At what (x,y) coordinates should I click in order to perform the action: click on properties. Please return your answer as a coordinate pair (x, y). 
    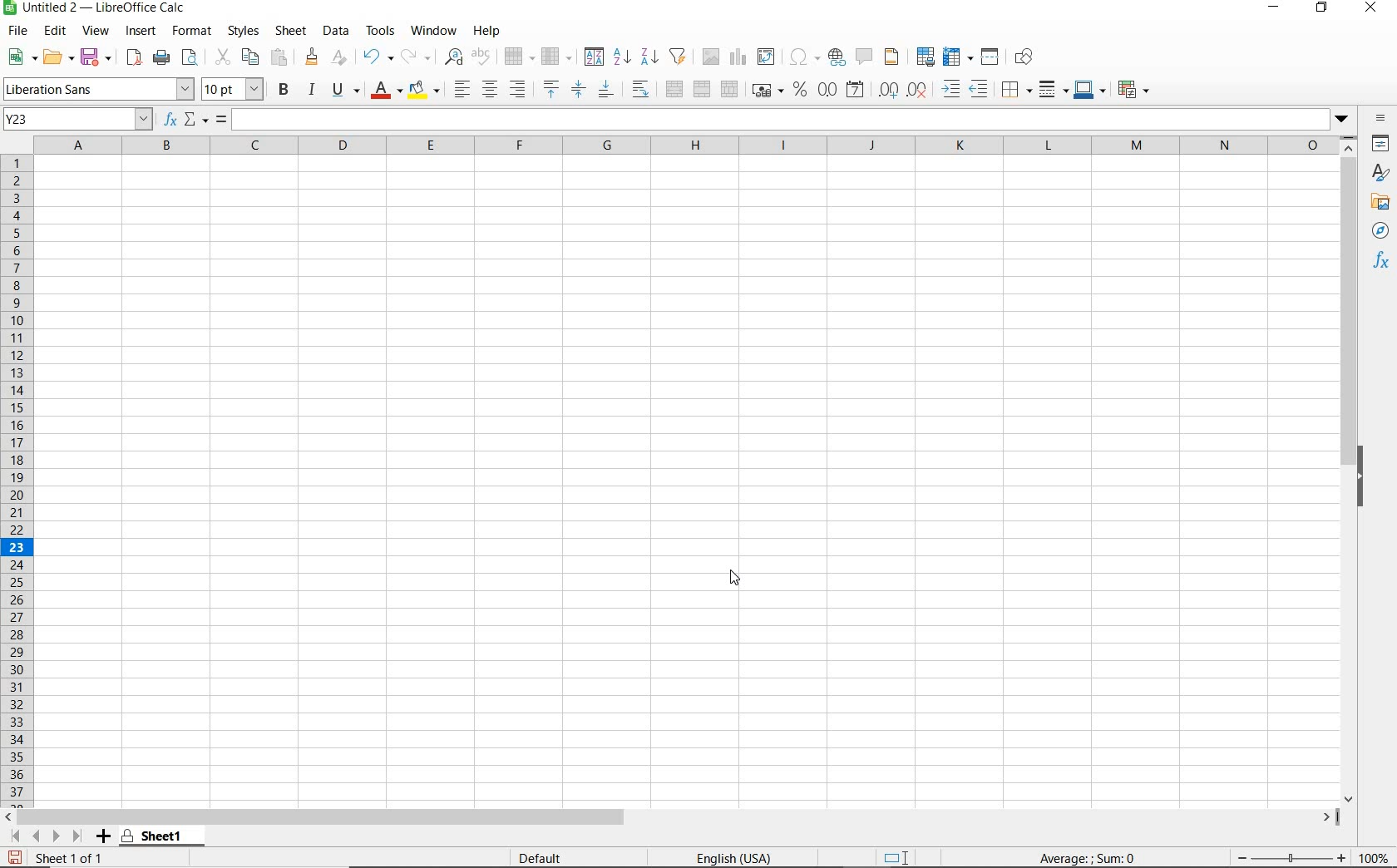
    Looking at the image, I should click on (1379, 145).